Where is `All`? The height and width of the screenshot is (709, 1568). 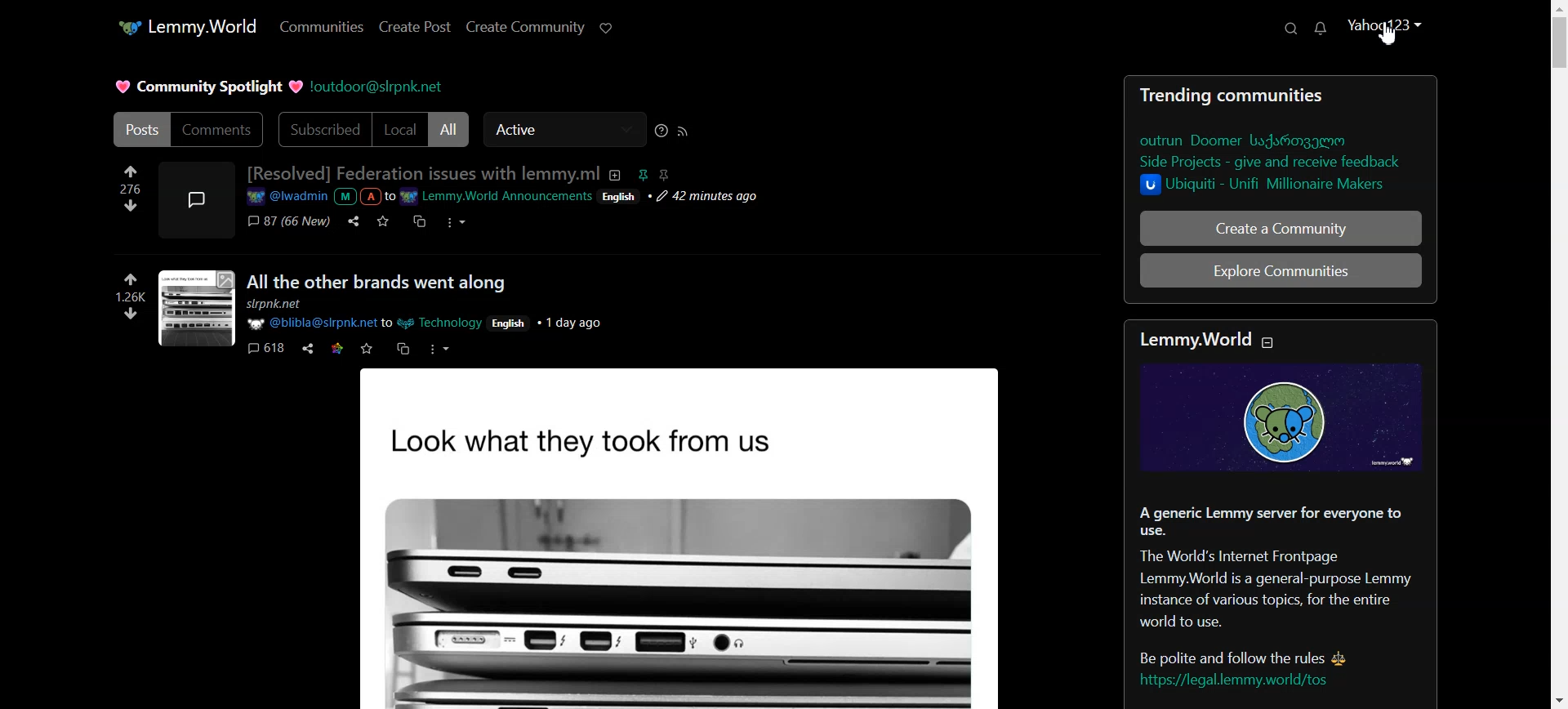
All is located at coordinates (450, 129).